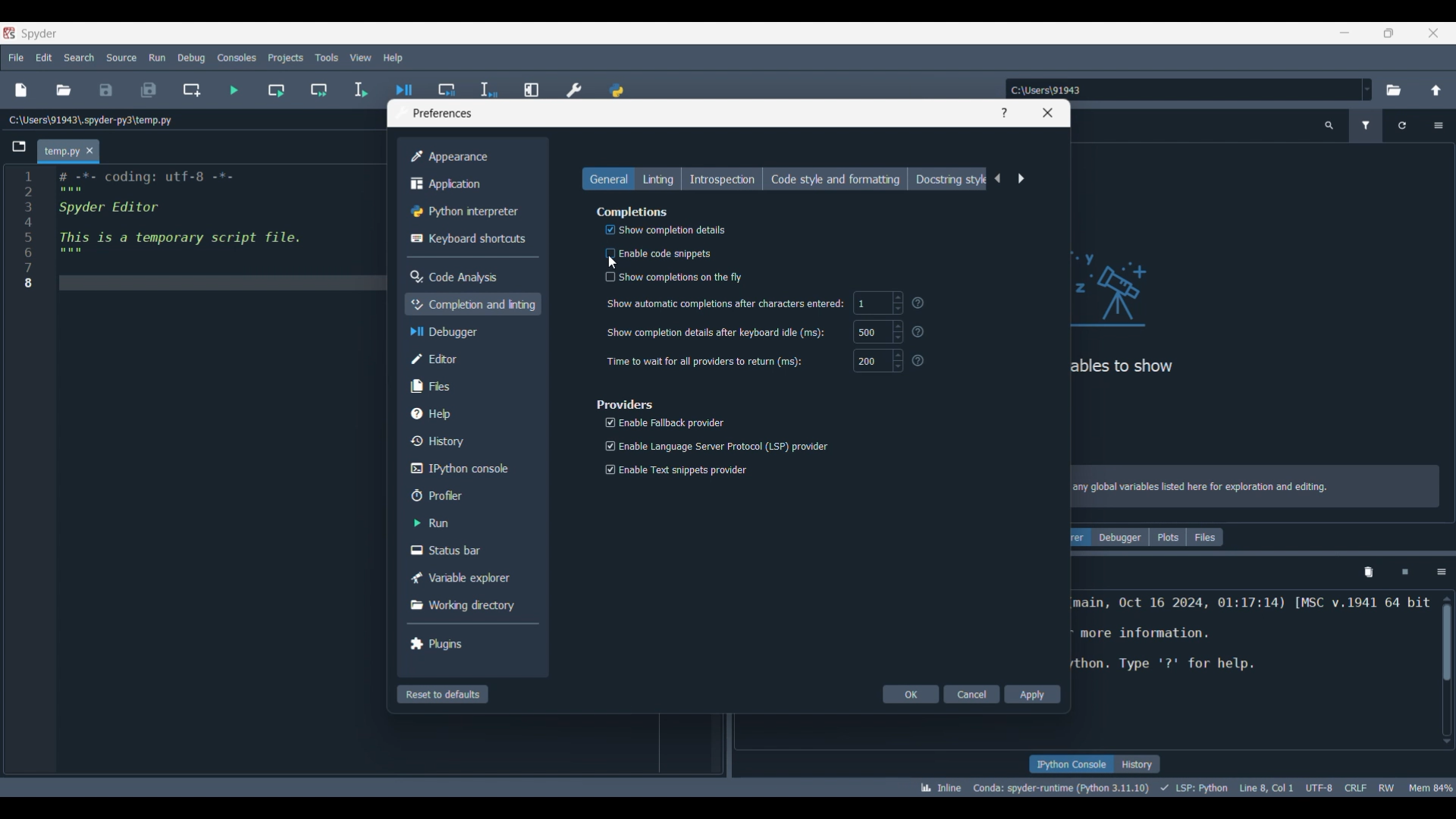 This screenshot has width=1456, height=819. What do you see at coordinates (393, 58) in the screenshot?
I see `Help menu` at bounding box center [393, 58].